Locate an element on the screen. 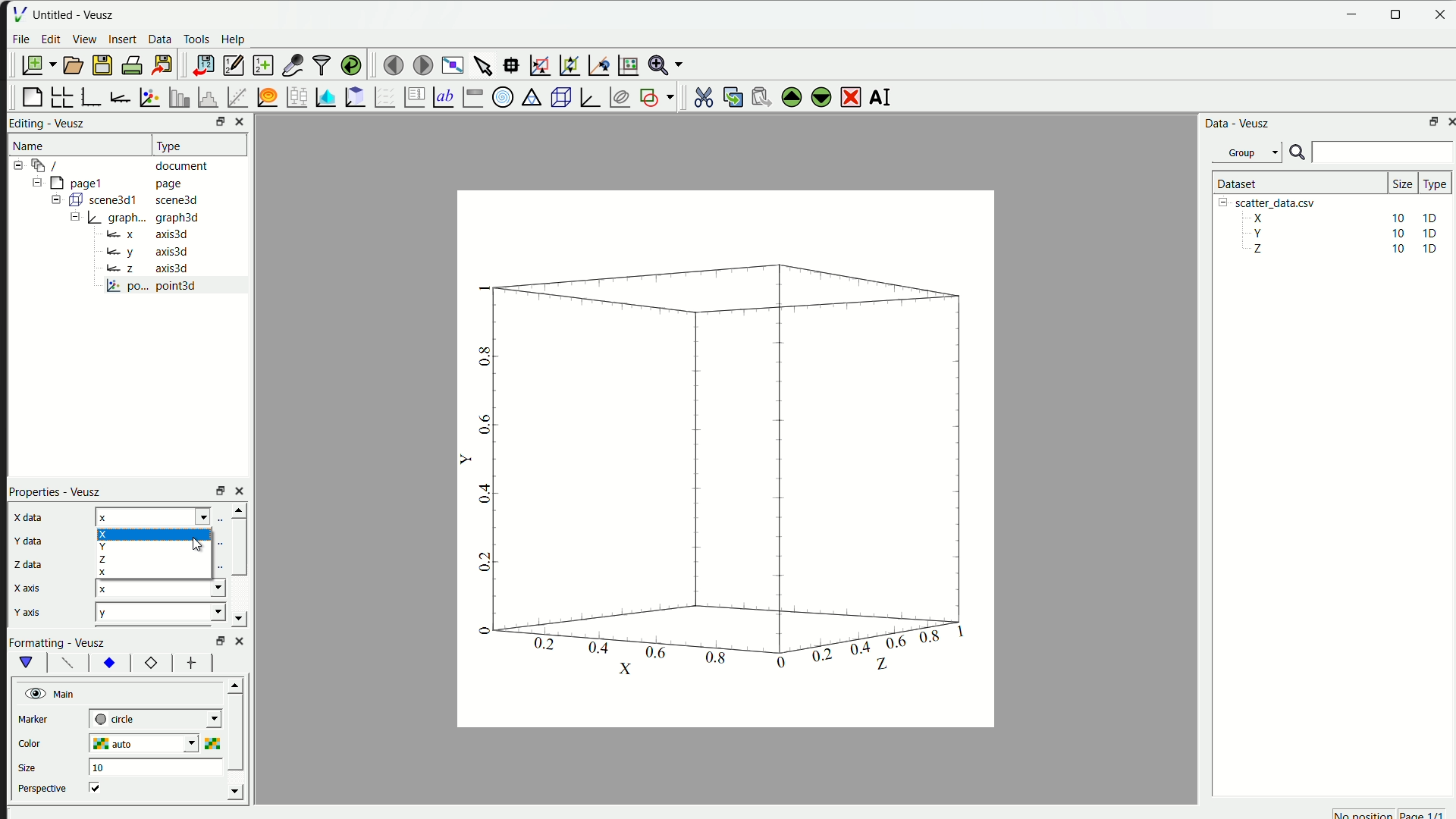 This screenshot has height=819, width=1456. search icon is located at coordinates (1298, 152).